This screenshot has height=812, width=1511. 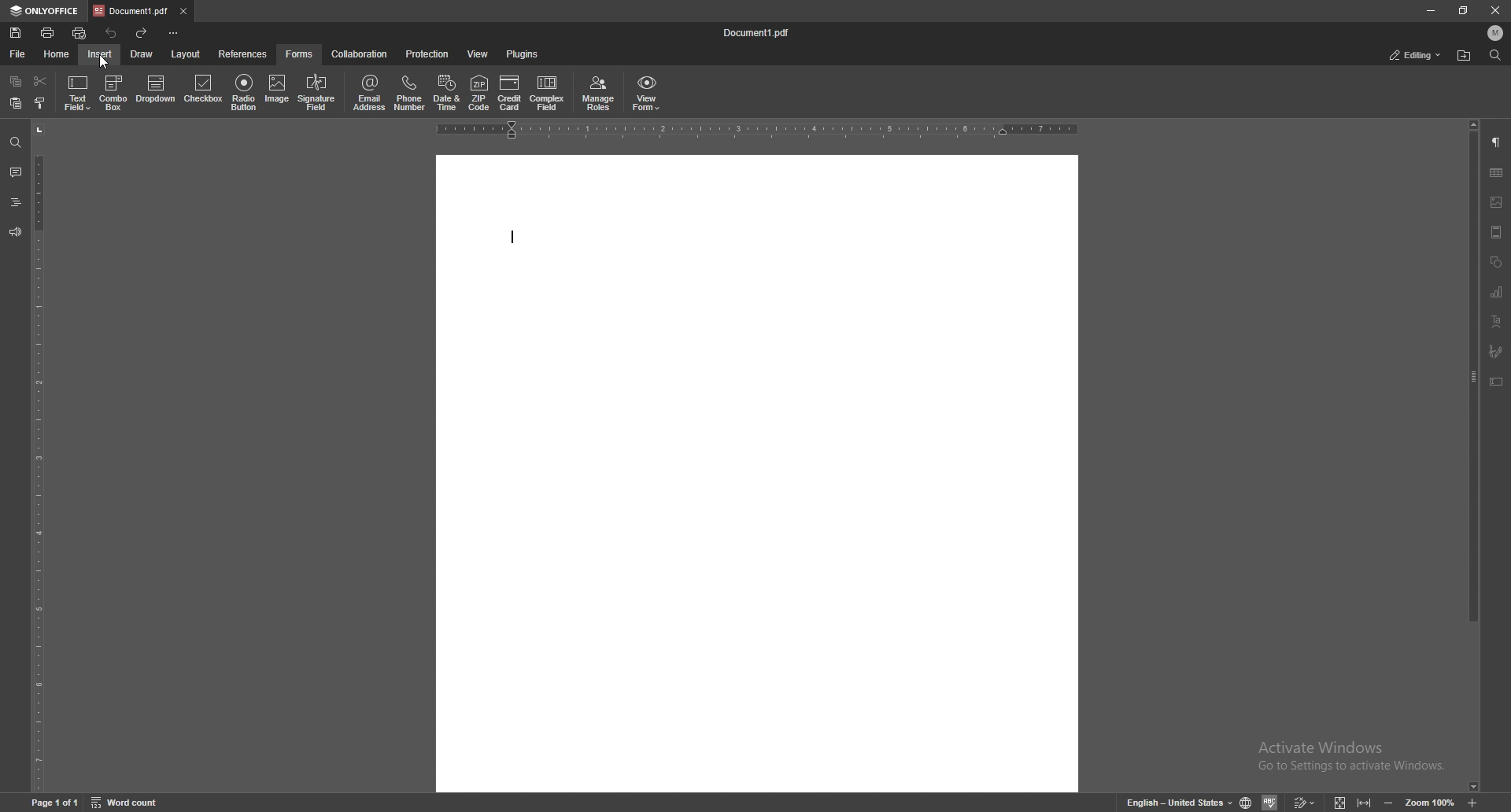 I want to click on text box, so click(x=1497, y=382).